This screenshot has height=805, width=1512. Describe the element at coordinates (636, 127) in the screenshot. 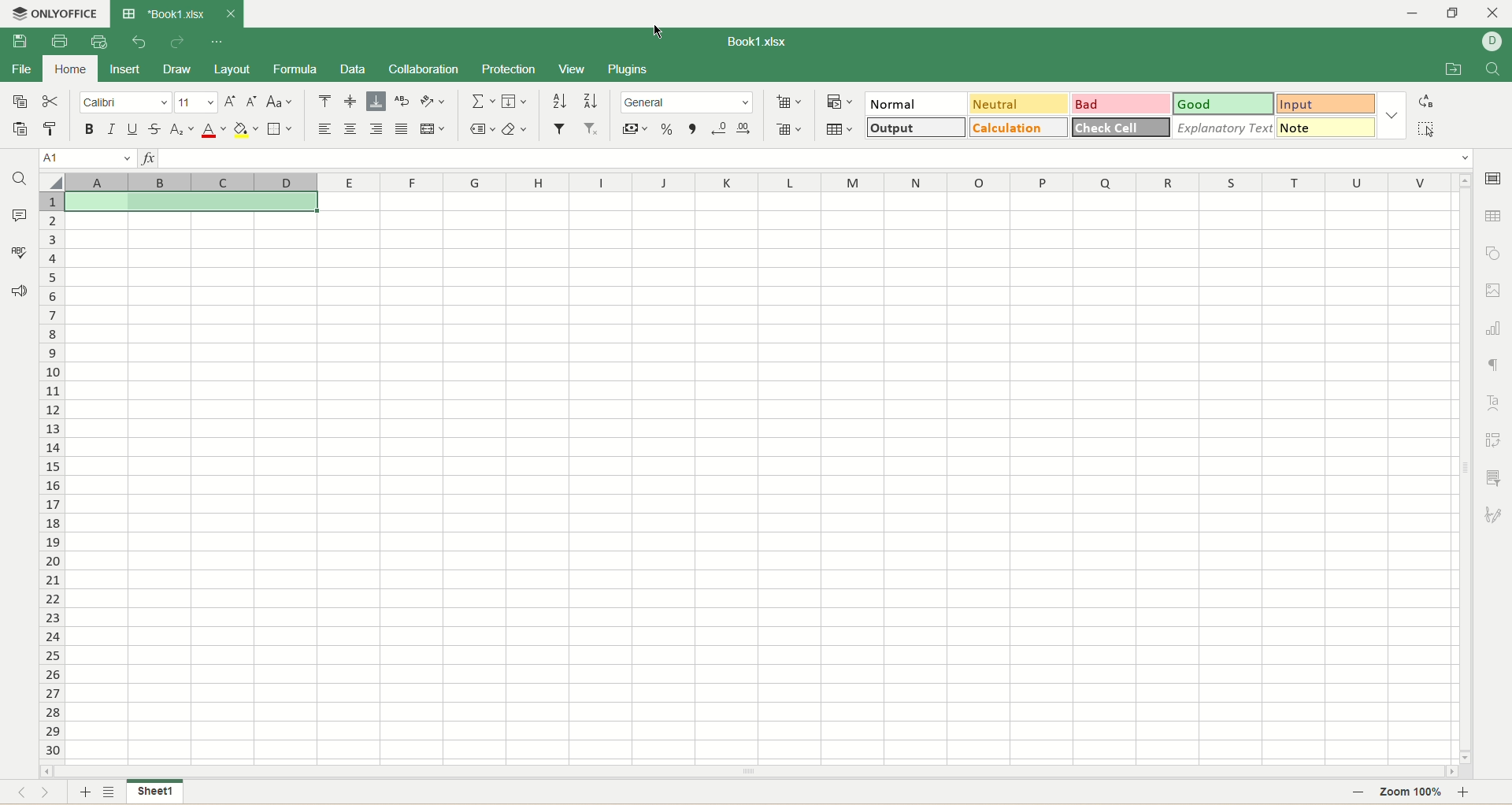

I see `currency format` at that location.